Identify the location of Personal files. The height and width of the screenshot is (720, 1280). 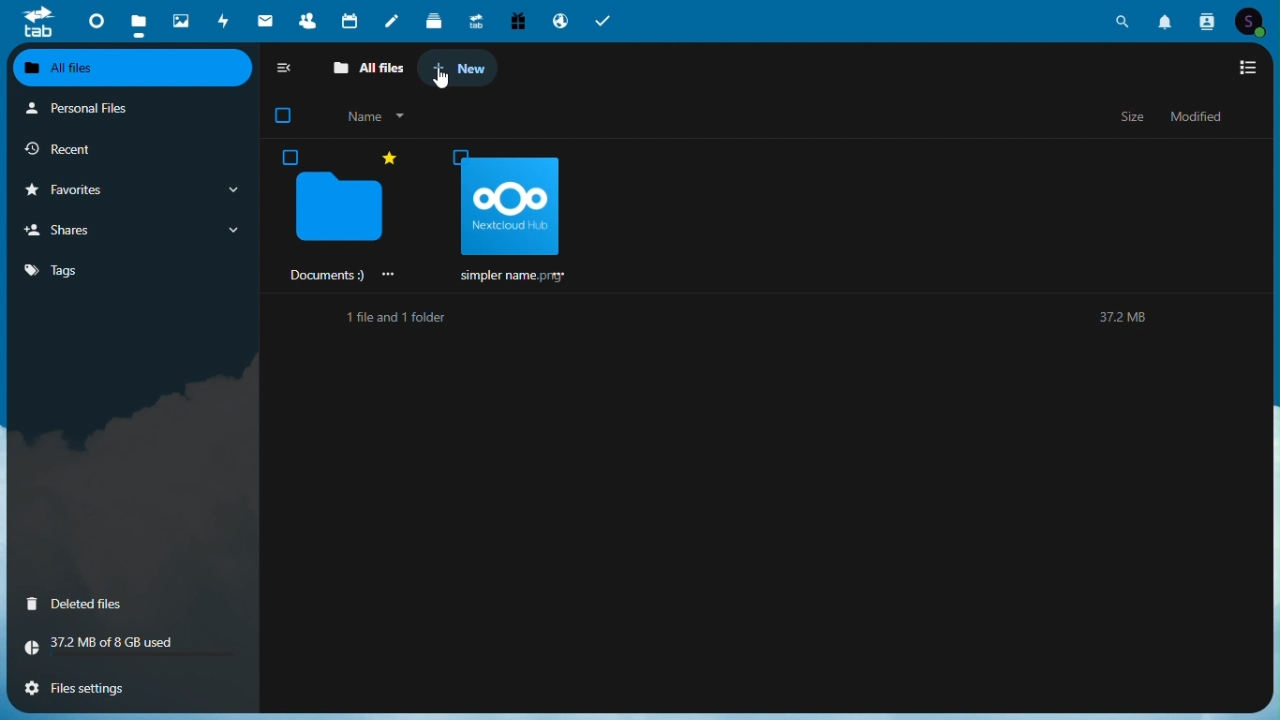
(129, 108).